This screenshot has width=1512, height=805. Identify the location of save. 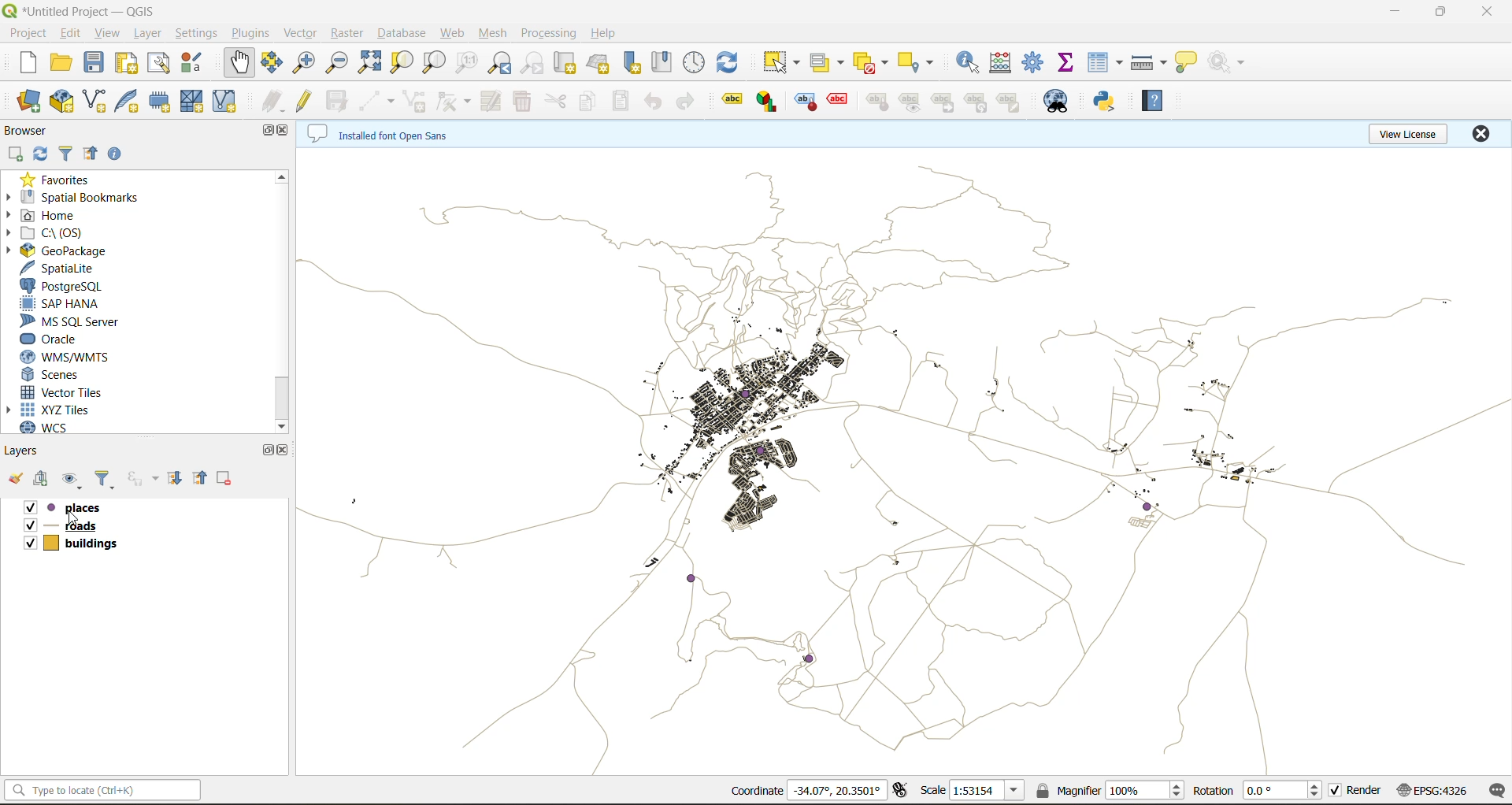
(97, 65).